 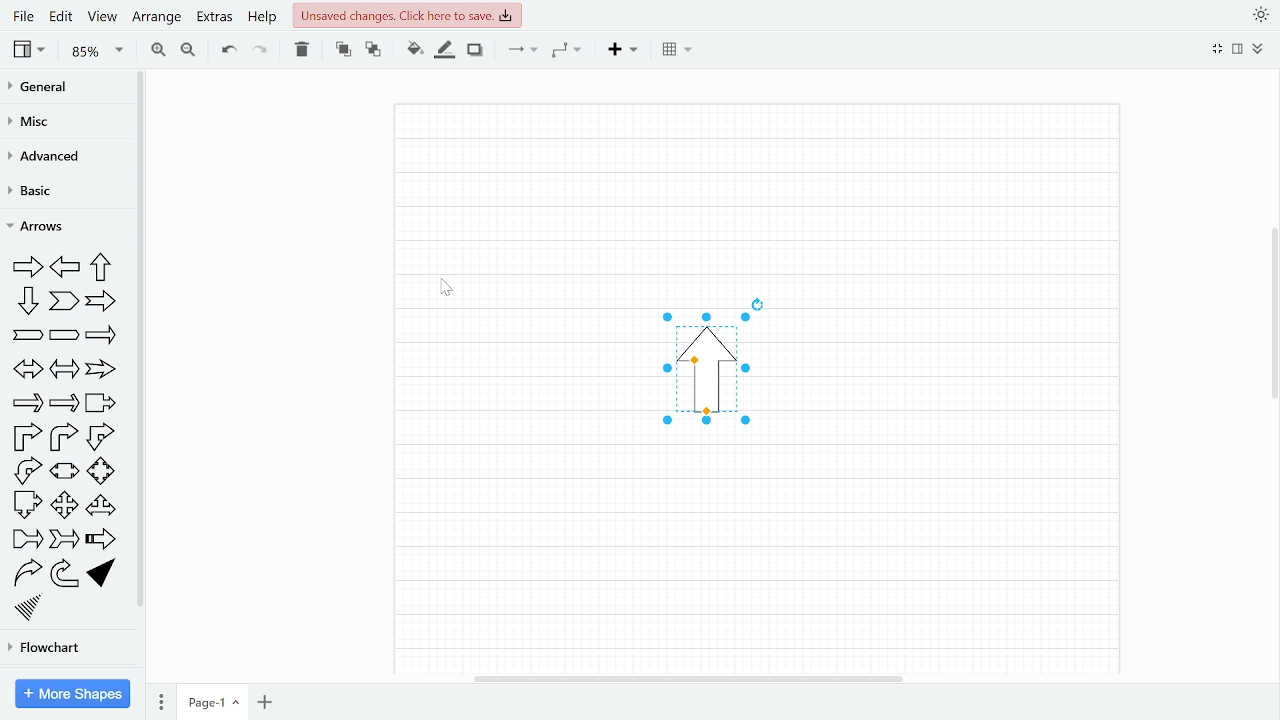 What do you see at coordinates (157, 50) in the screenshot?
I see `Zoom in` at bounding box center [157, 50].